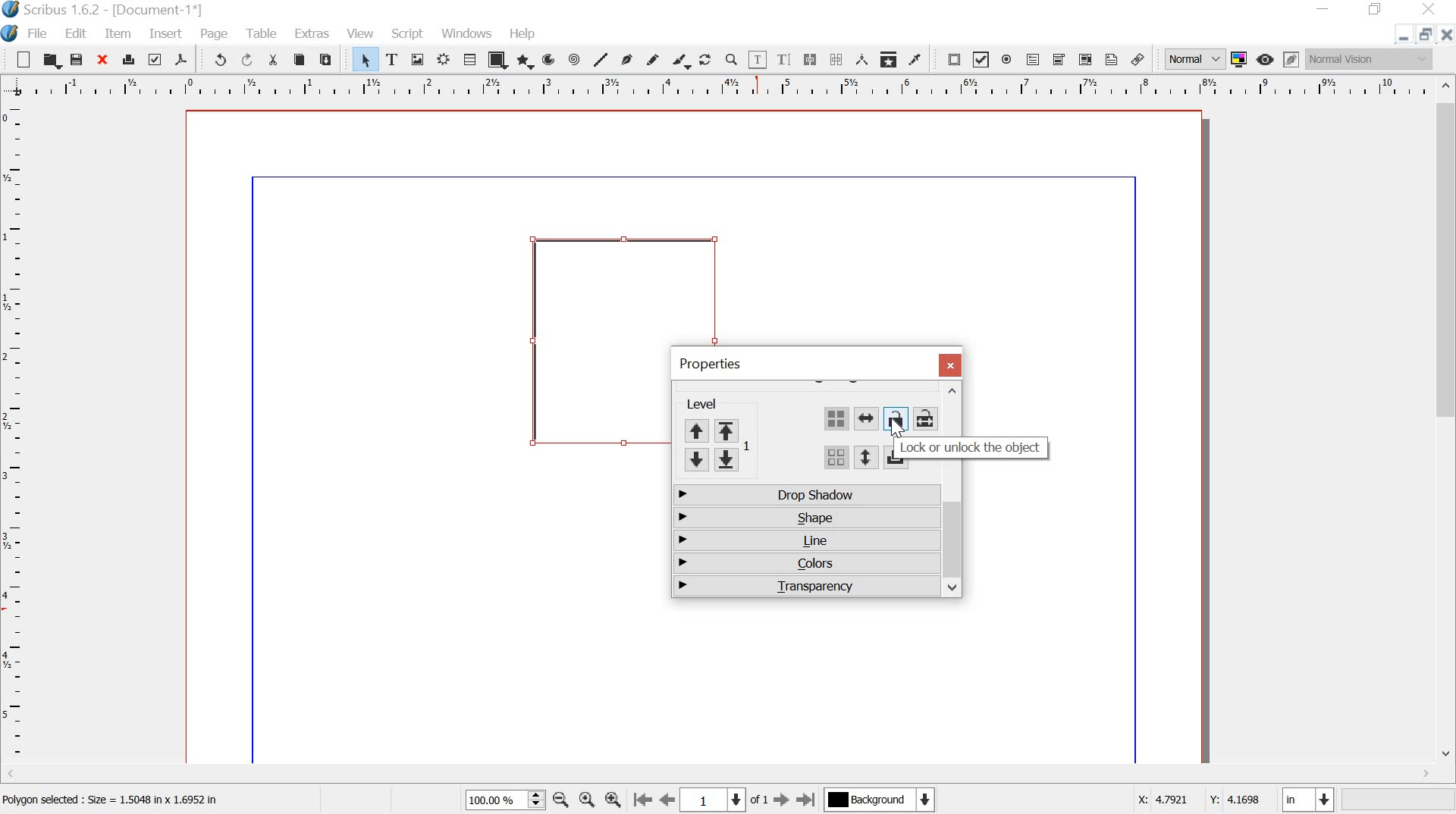 This screenshot has width=1456, height=814. Describe the element at coordinates (11, 33) in the screenshot. I see `system logo` at that location.